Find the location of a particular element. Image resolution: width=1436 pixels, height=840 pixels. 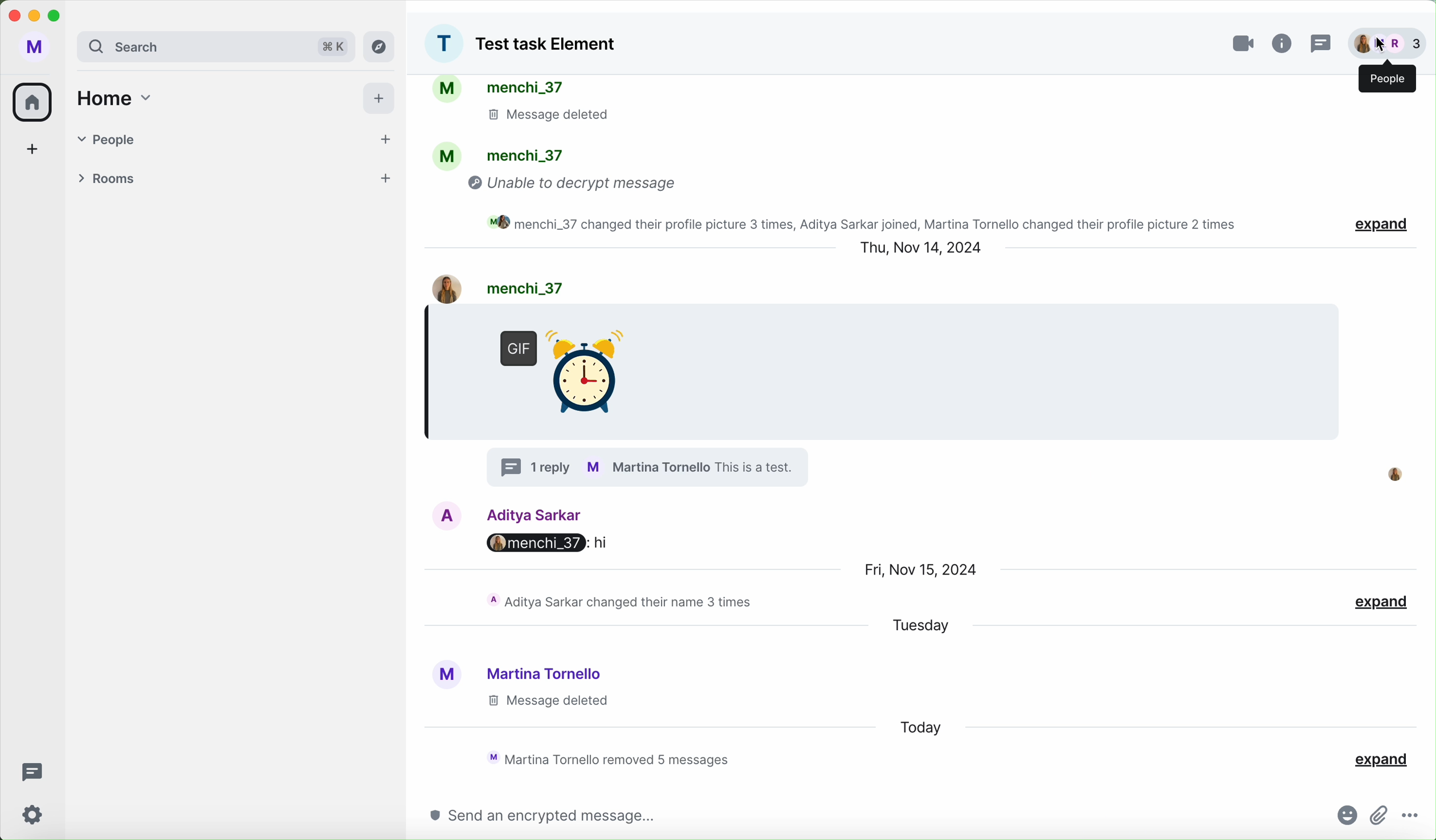

expand is located at coordinates (1372, 226).